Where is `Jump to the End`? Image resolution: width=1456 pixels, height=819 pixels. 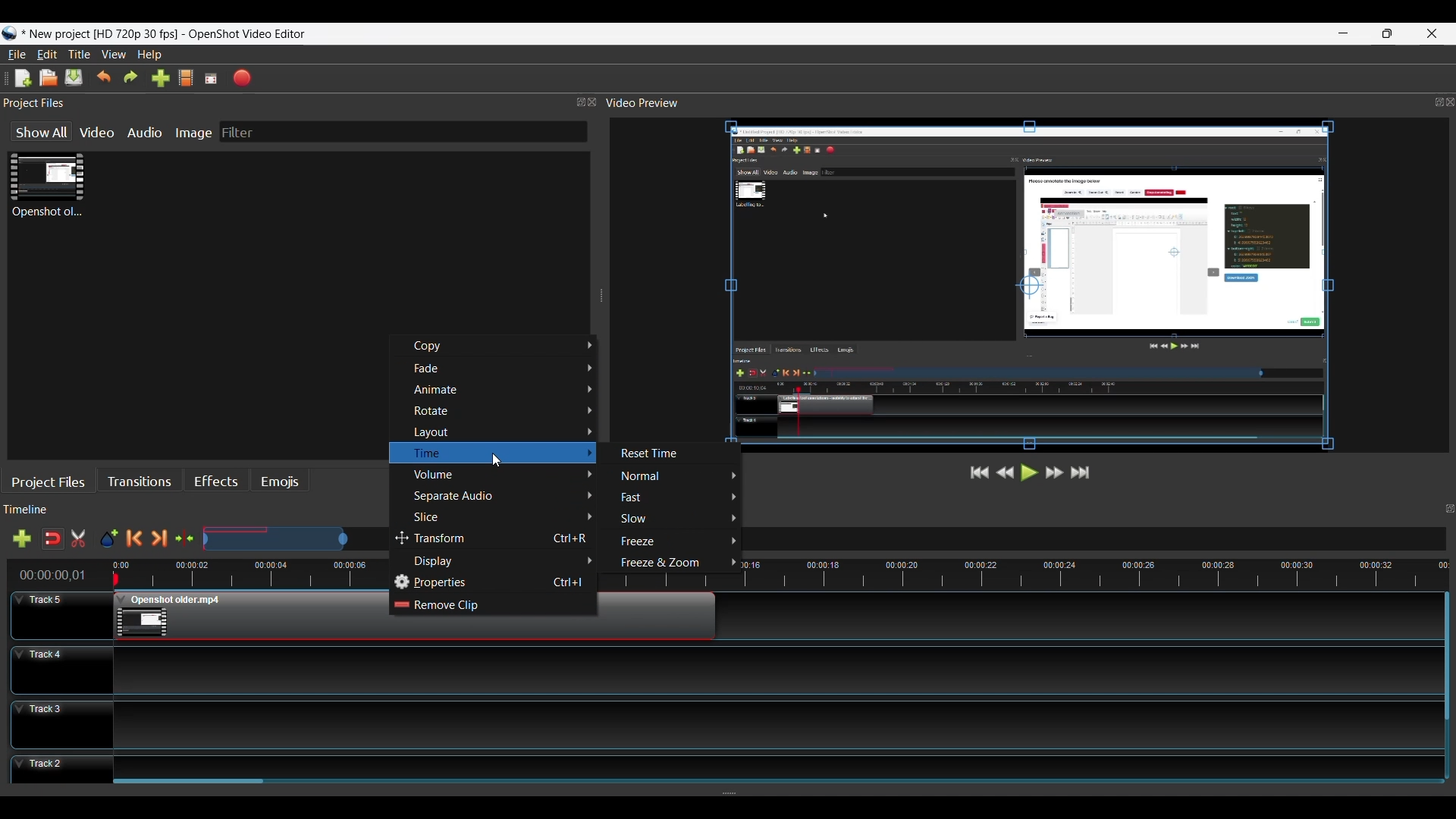
Jump to the End is located at coordinates (1081, 473).